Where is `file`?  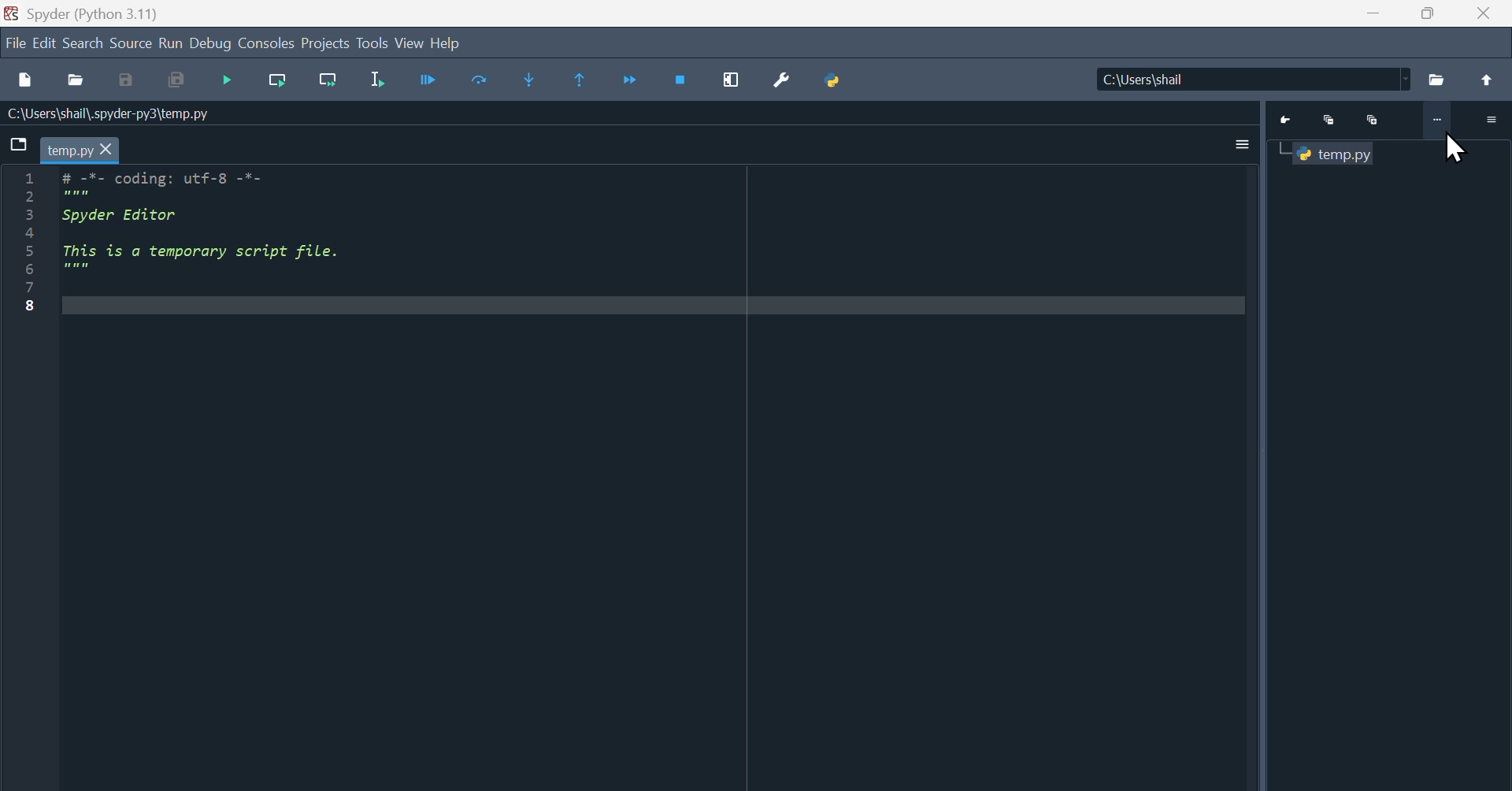
file is located at coordinates (15, 45).